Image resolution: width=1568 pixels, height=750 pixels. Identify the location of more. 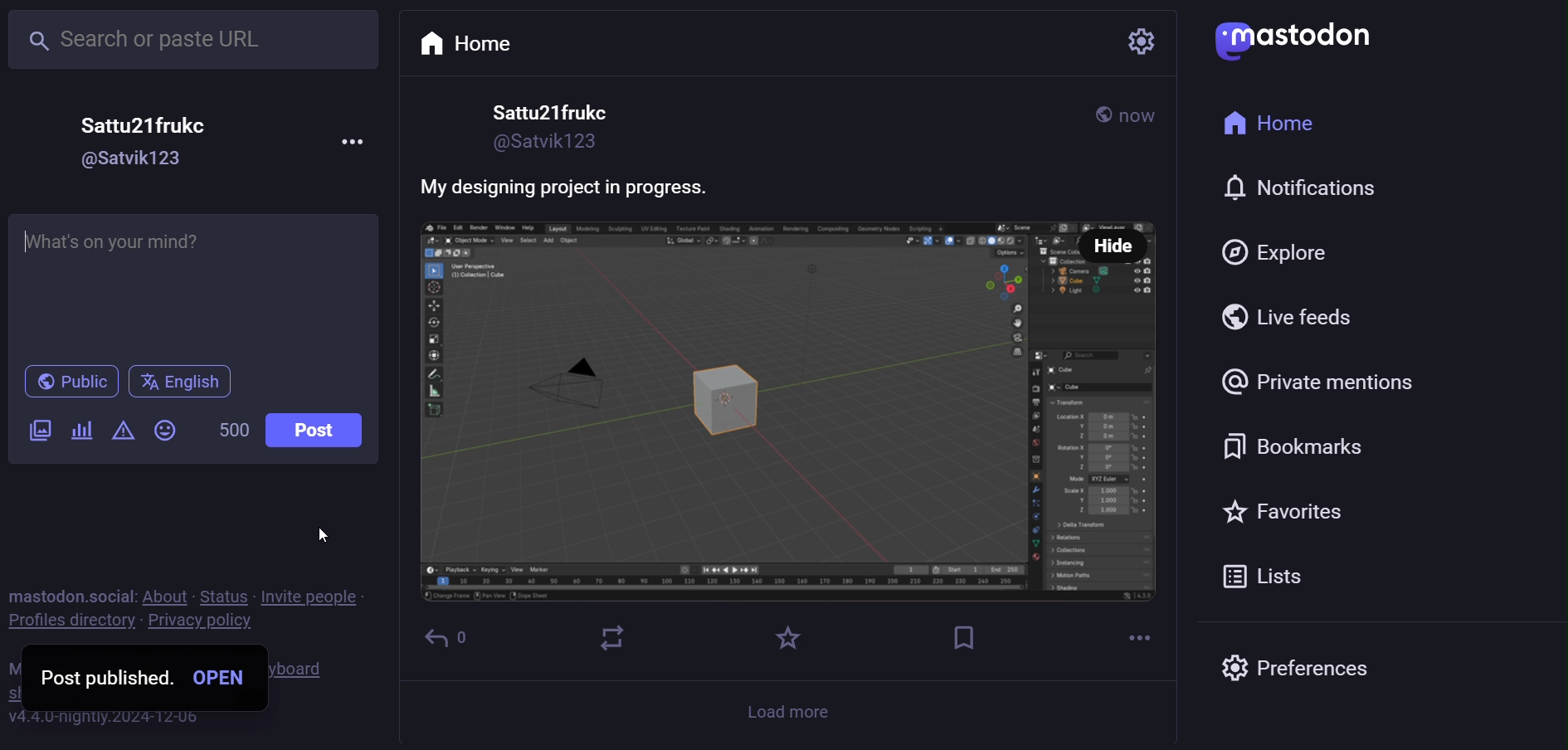
(354, 144).